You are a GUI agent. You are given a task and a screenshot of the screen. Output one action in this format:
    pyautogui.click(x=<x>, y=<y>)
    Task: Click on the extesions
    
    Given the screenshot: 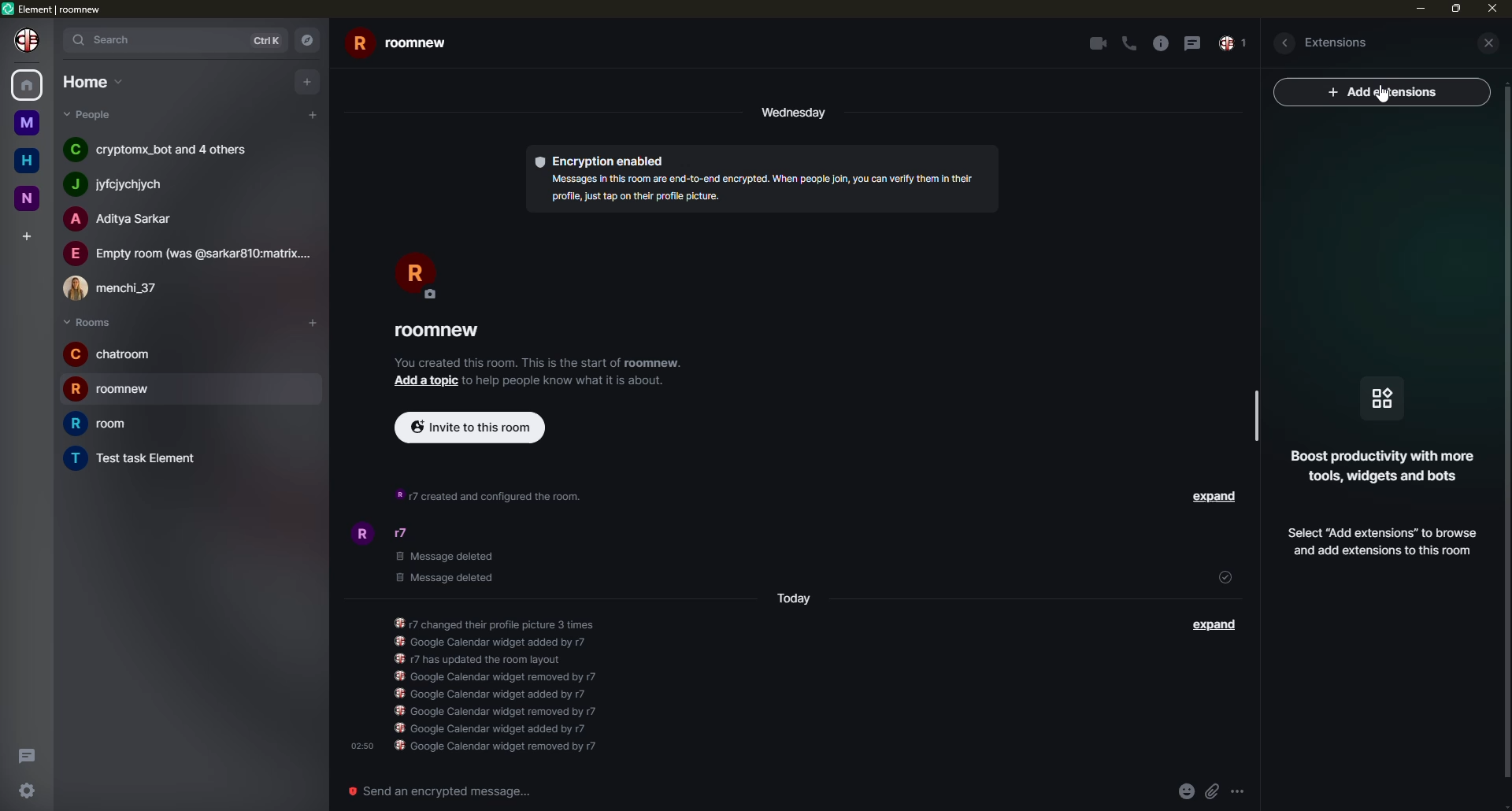 What is the action you would take?
    pyautogui.click(x=1339, y=43)
    